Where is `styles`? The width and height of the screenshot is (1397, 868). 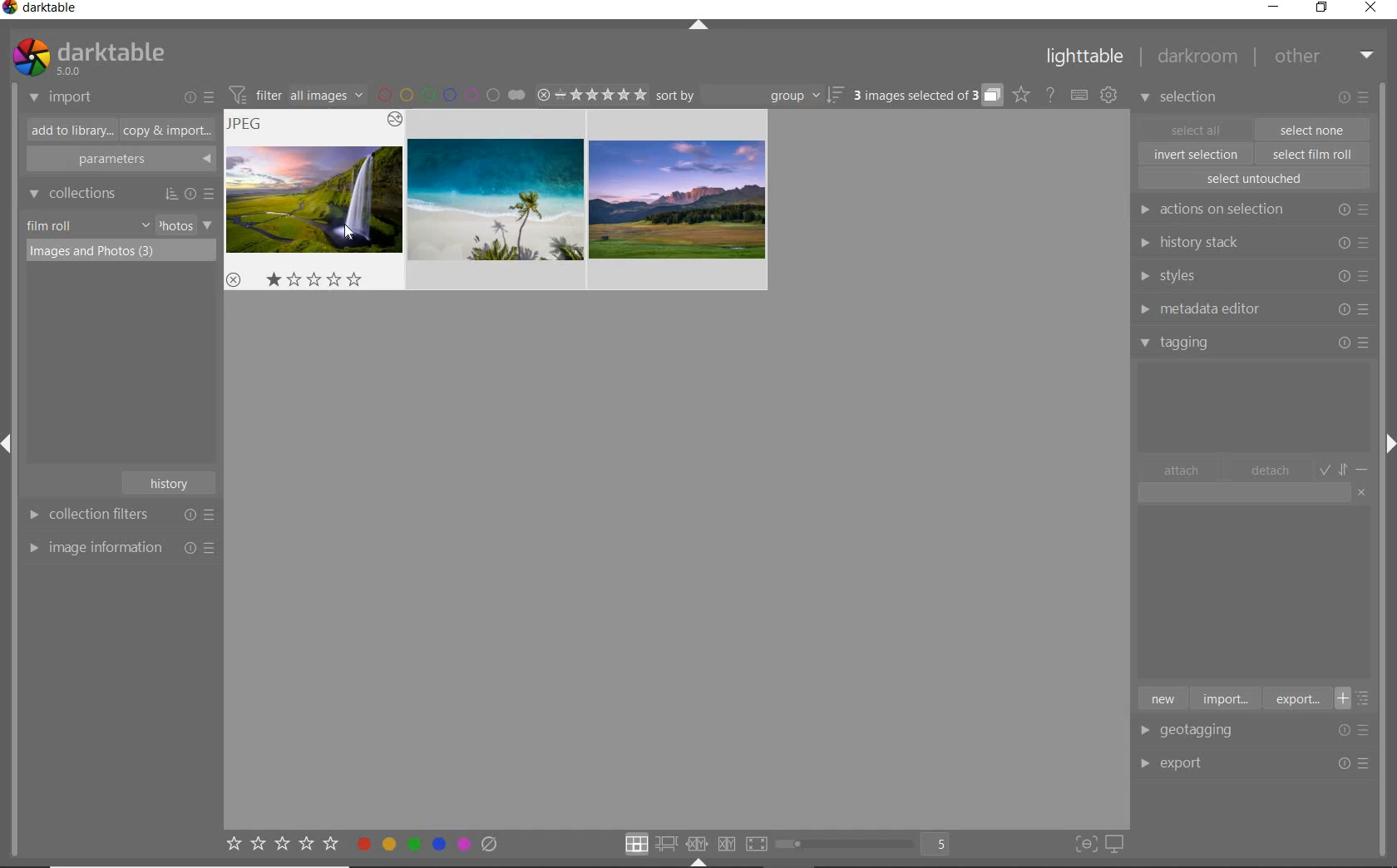
styles is located at coordinates (1252, 277).